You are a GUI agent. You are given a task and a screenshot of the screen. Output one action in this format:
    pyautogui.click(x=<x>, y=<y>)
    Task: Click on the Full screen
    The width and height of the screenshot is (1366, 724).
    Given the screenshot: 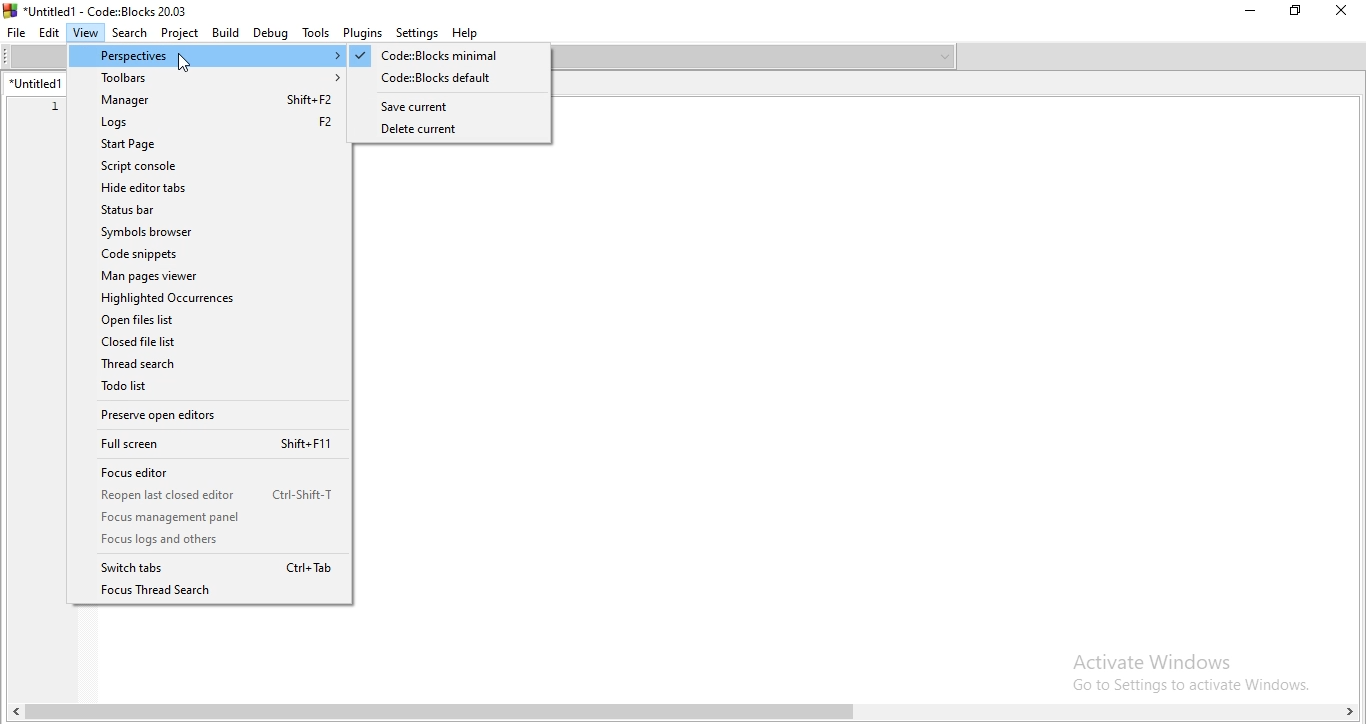 What is the action you would take?
    pyautogui.click(x=209, y=445)
    